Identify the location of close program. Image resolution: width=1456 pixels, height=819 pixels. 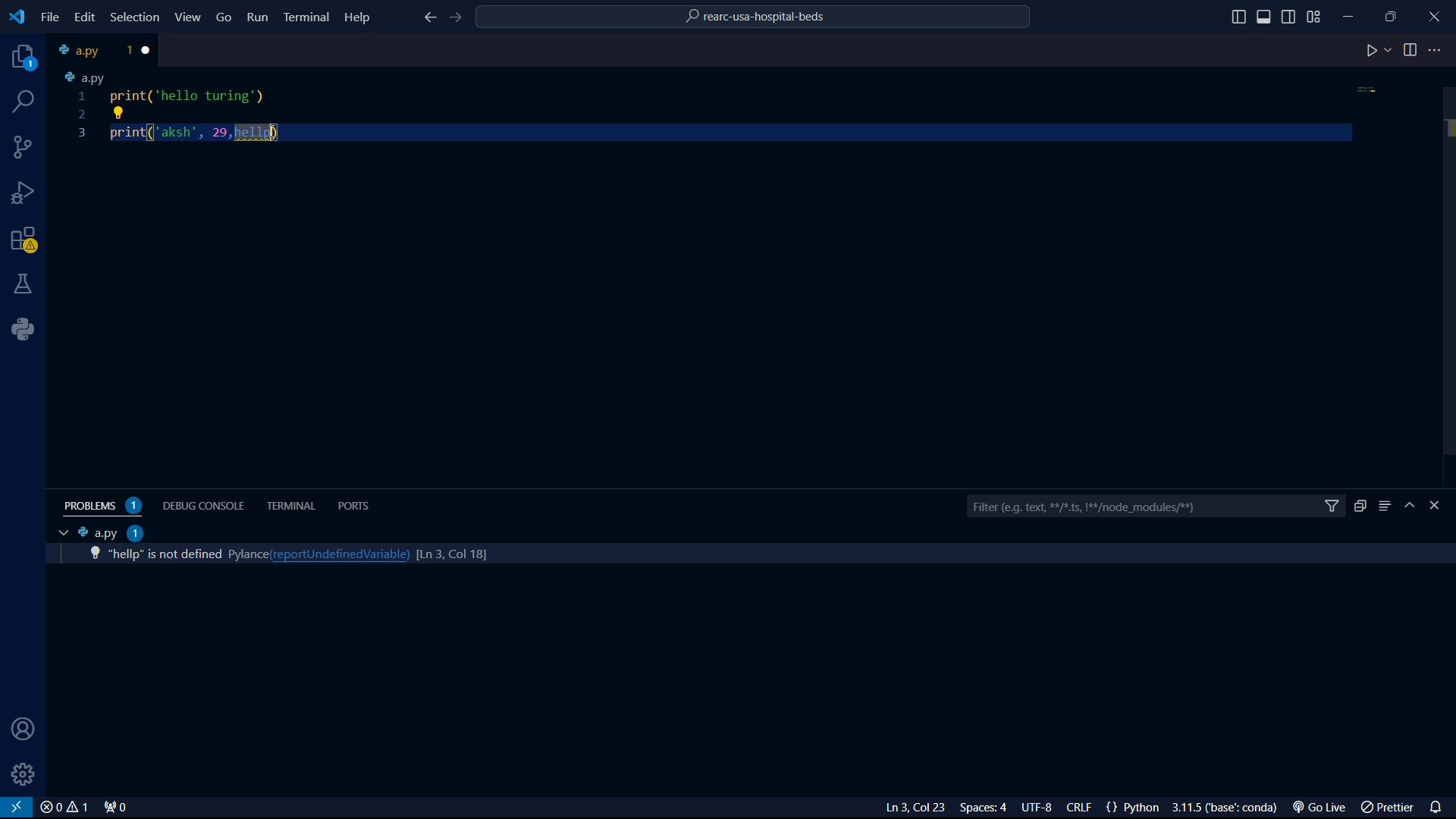
(1435, 14).